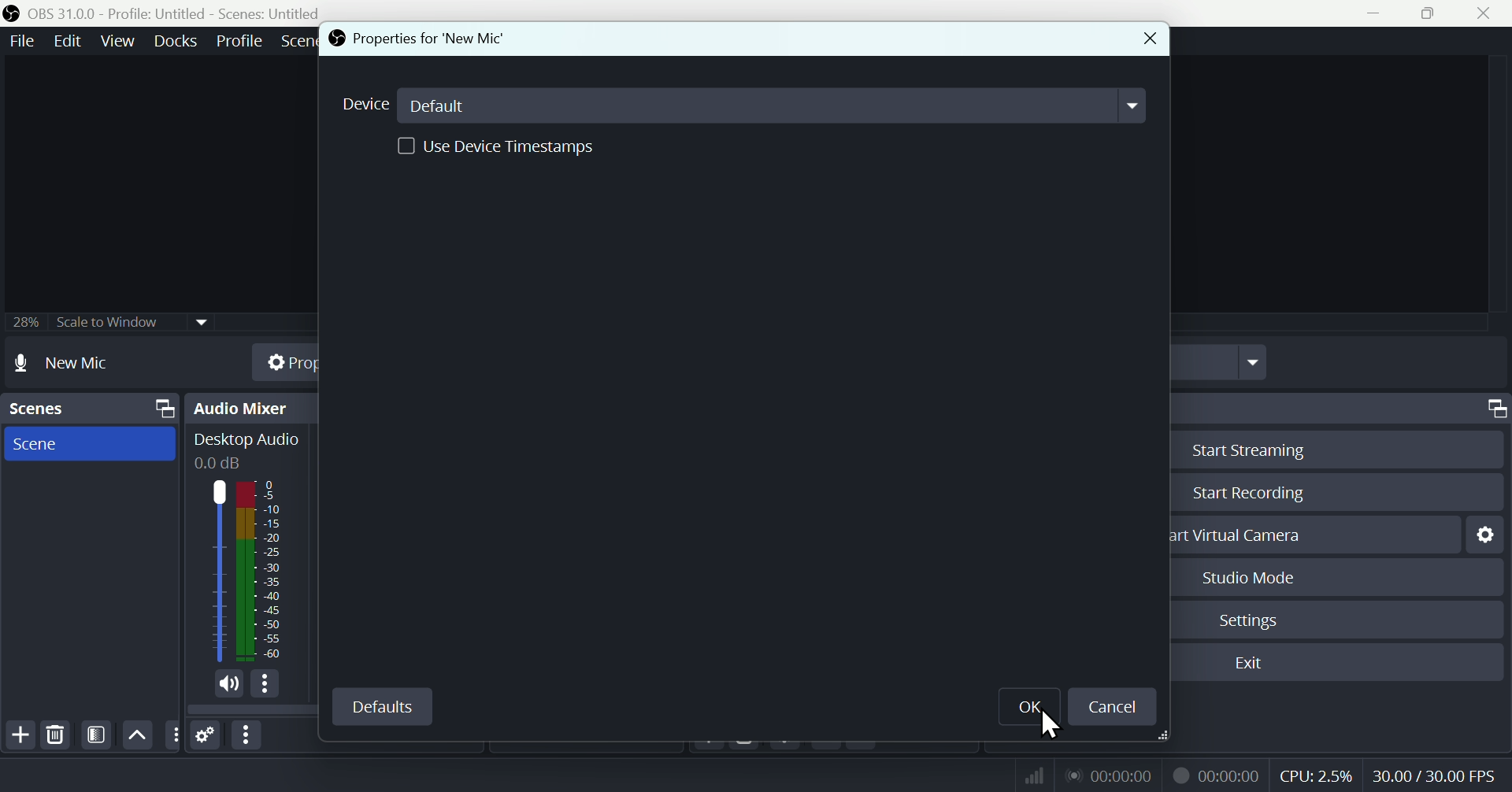 Image resolution: width=1512 pixels, height=792 pixels. What do you see at coordinates (1054, 727) in the screenshot?
I see `Cursor` at bounding box center [1054, 727].